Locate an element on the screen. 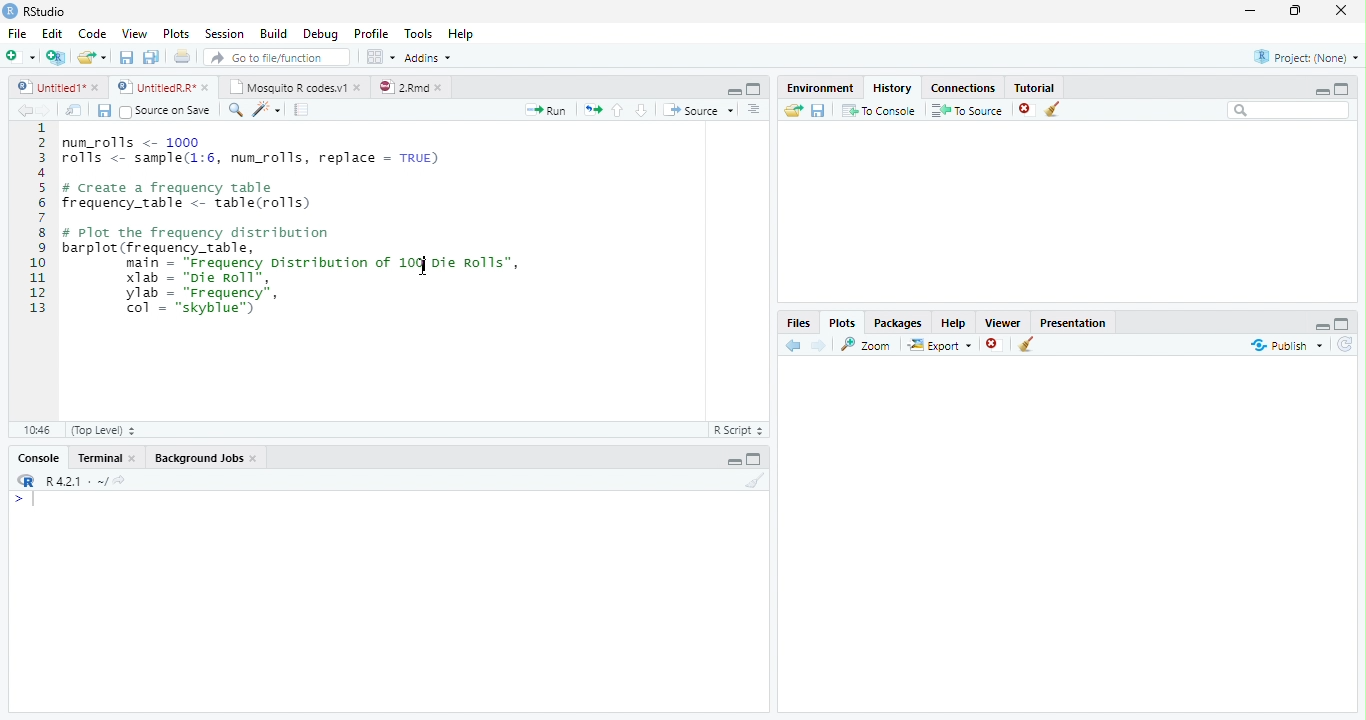  Show in new window is located at coordinates (76, 110).